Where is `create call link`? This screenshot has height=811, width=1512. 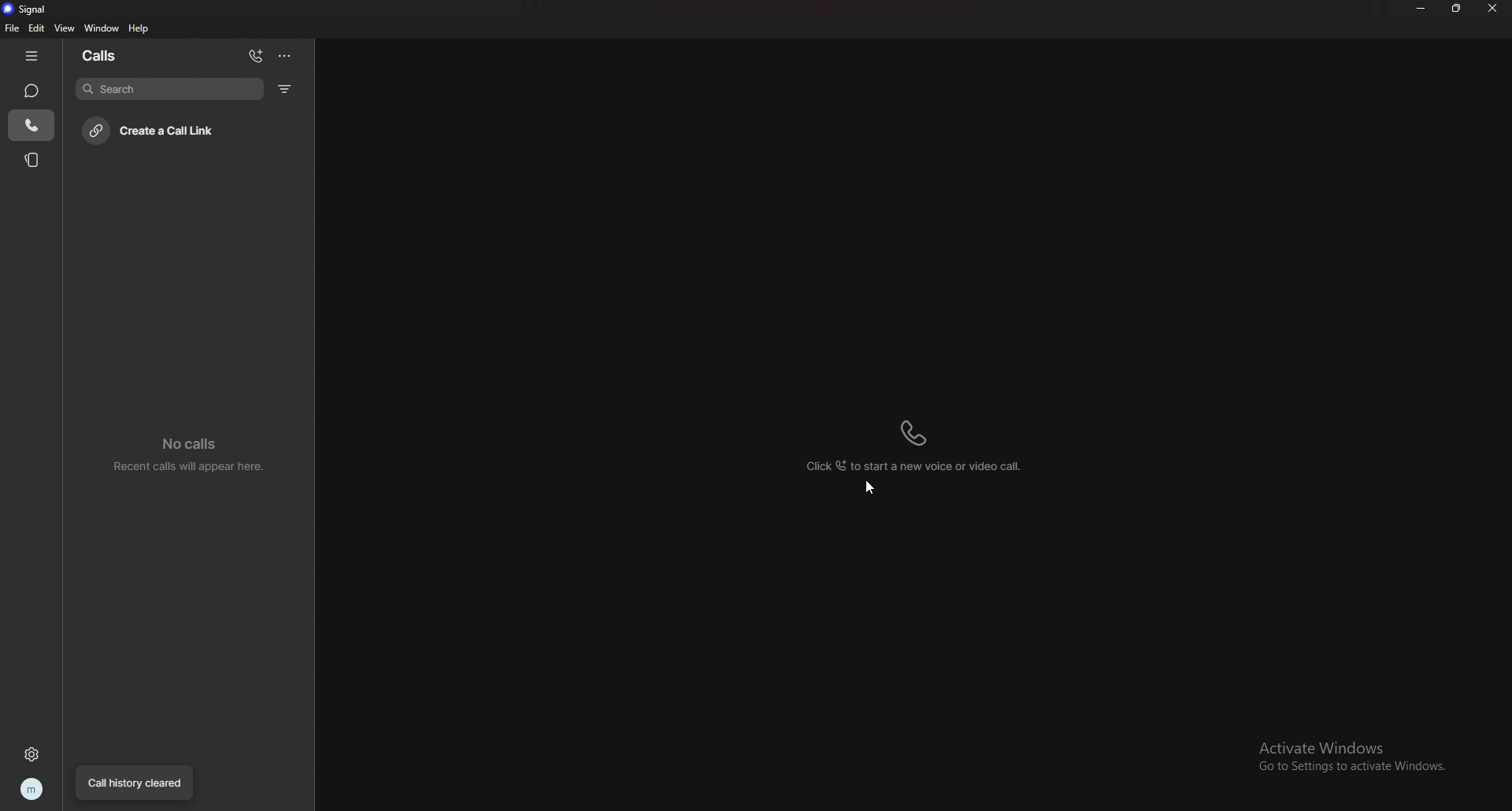 create call link is located at coordinates (186, 133).